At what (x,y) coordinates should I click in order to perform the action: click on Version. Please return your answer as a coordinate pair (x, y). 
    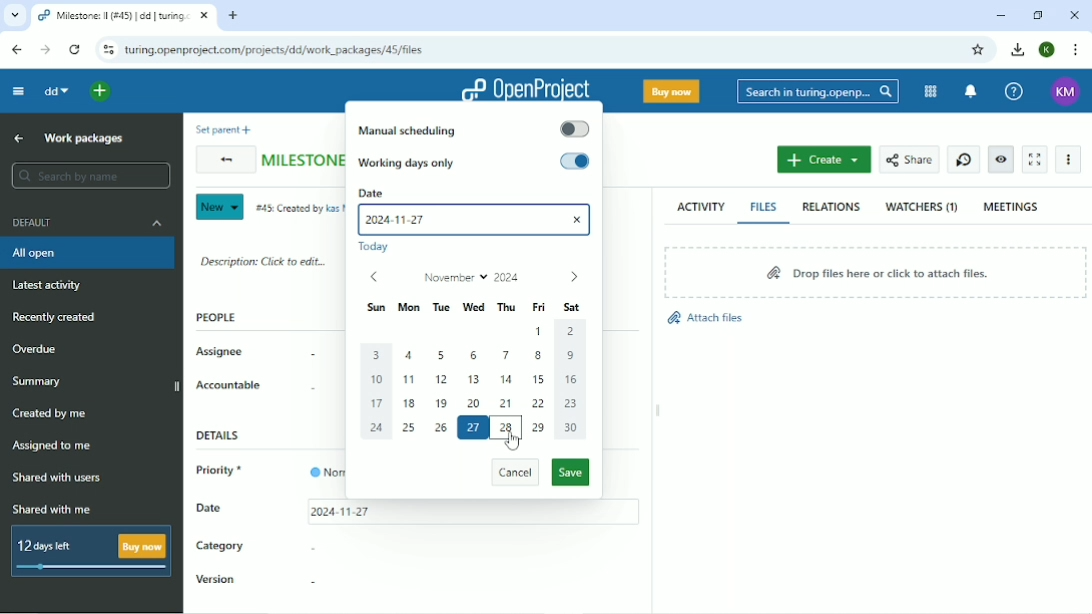
    Looking at the image, I should click on (217, 581).